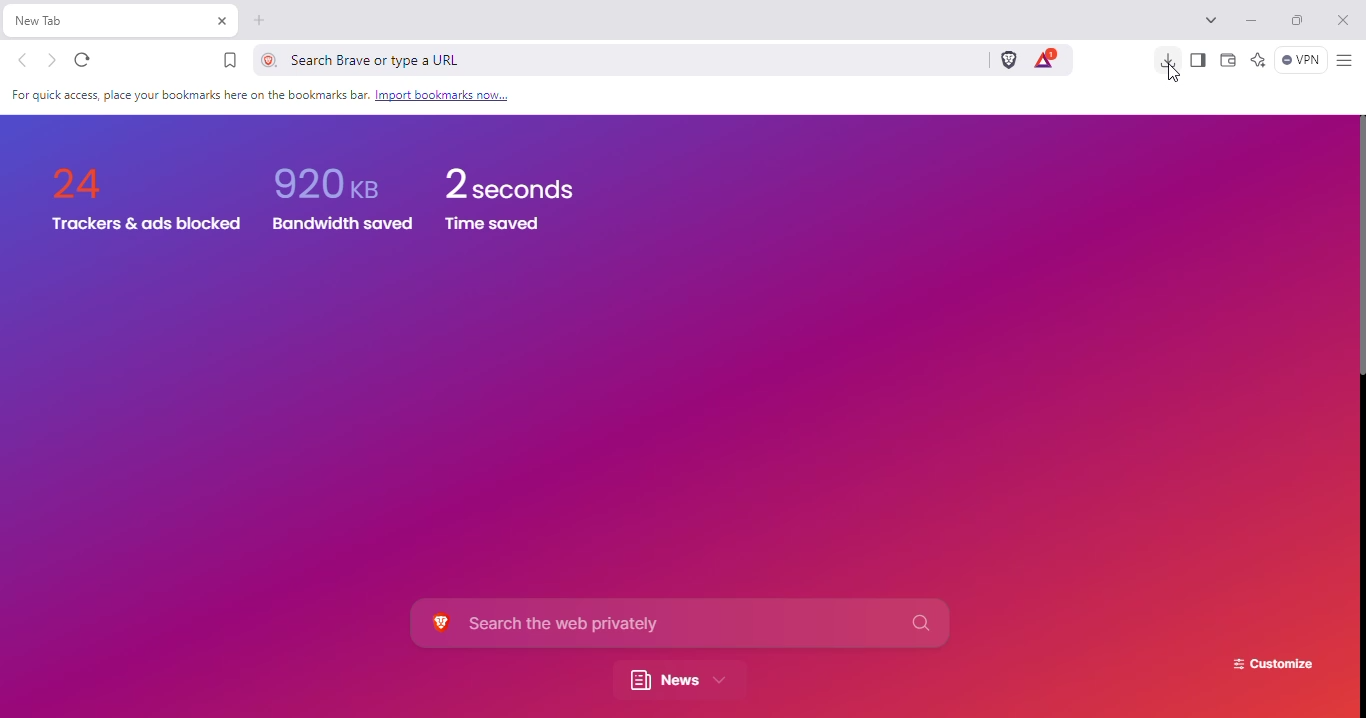 The image size is (1366, 718). Describe the element at coordinates (1045, 59) in the screenshot. I see `brave rewards panel` at that location.